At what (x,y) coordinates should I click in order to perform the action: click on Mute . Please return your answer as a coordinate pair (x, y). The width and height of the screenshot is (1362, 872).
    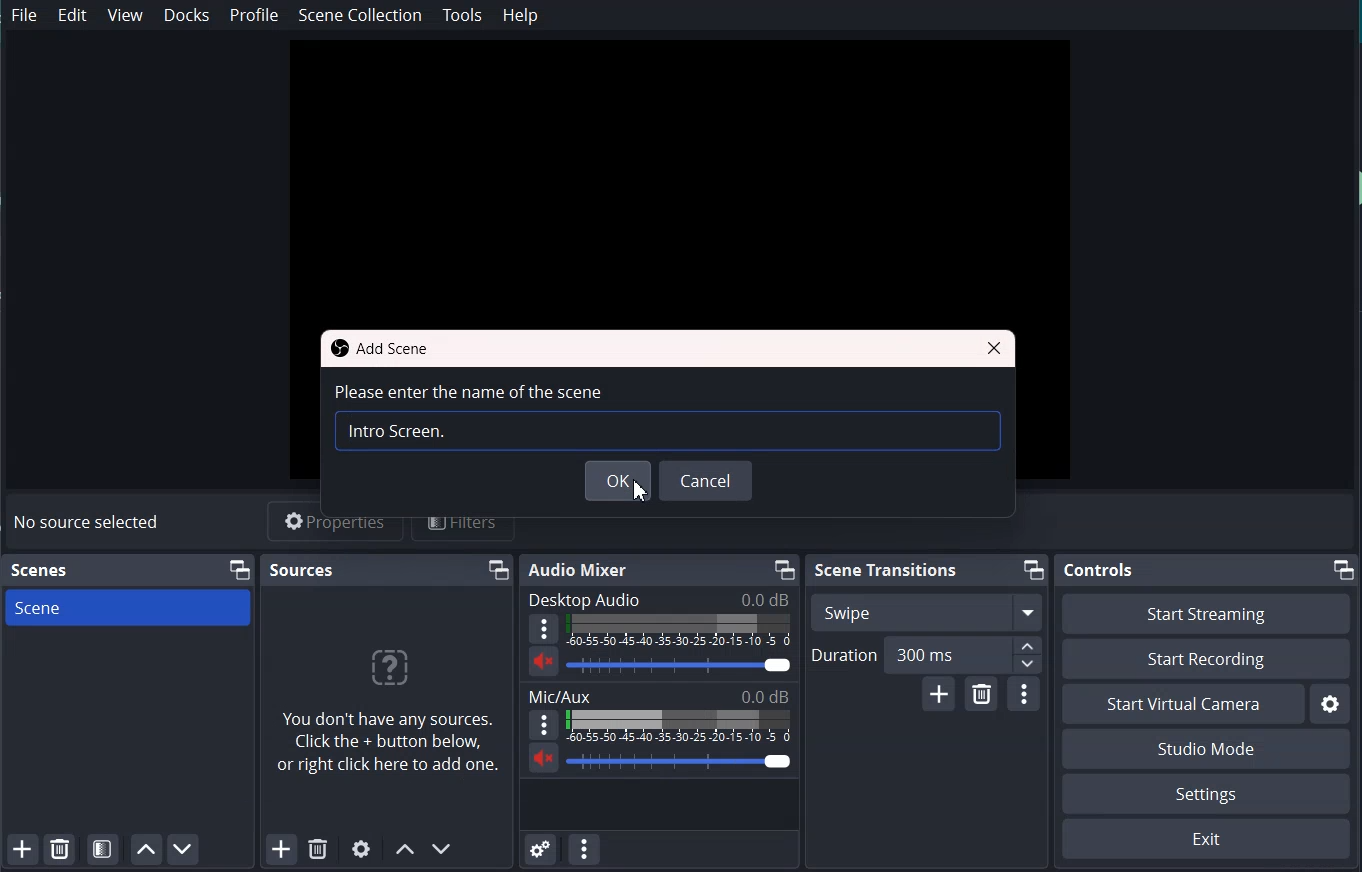
    Looking at the image, I should click on (544, 661).